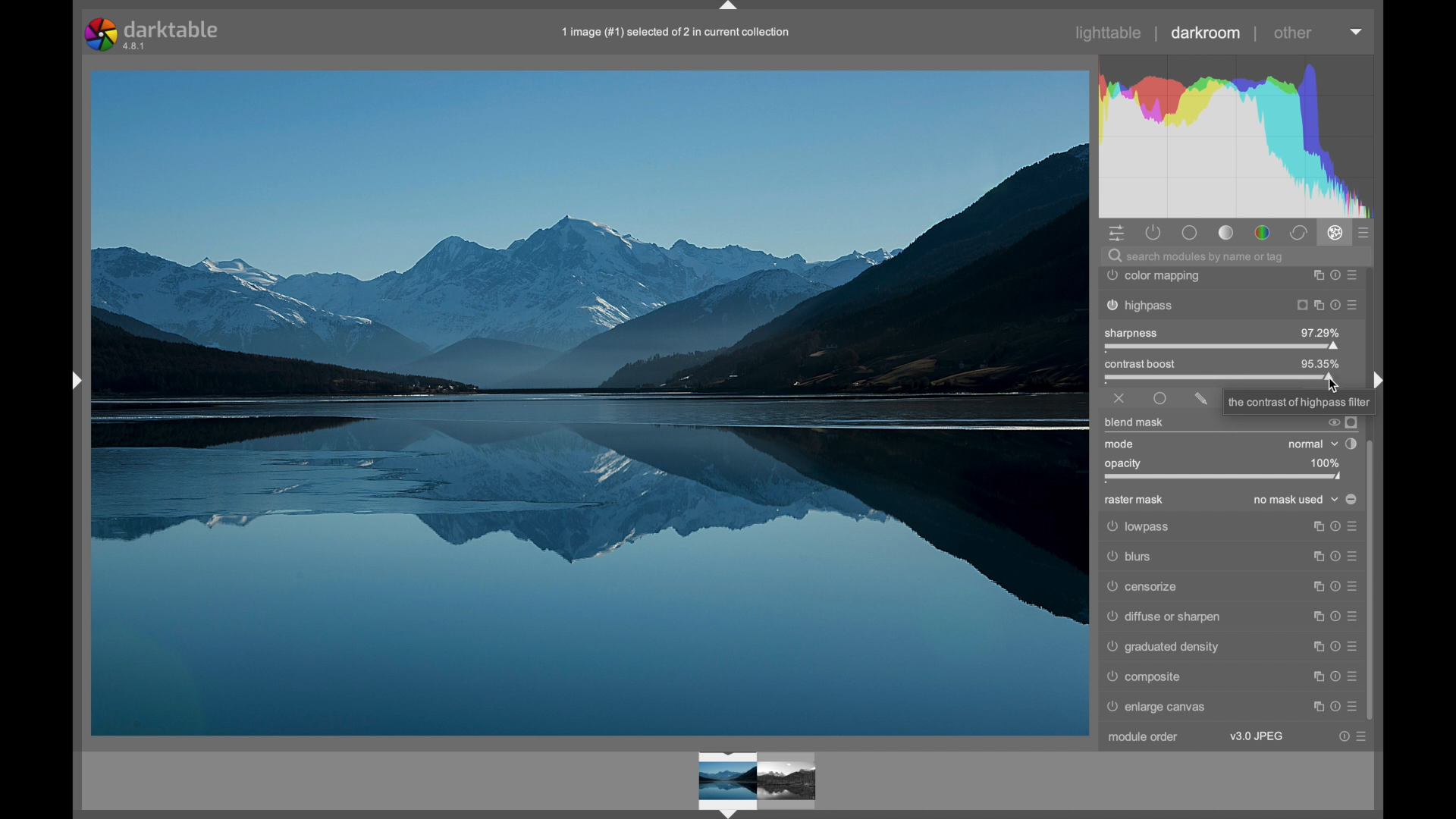 This screenshot has height=819, width=1456. Describe the element at coordinates (729, 8) in the screenshot. I see `drag handle` at that location.